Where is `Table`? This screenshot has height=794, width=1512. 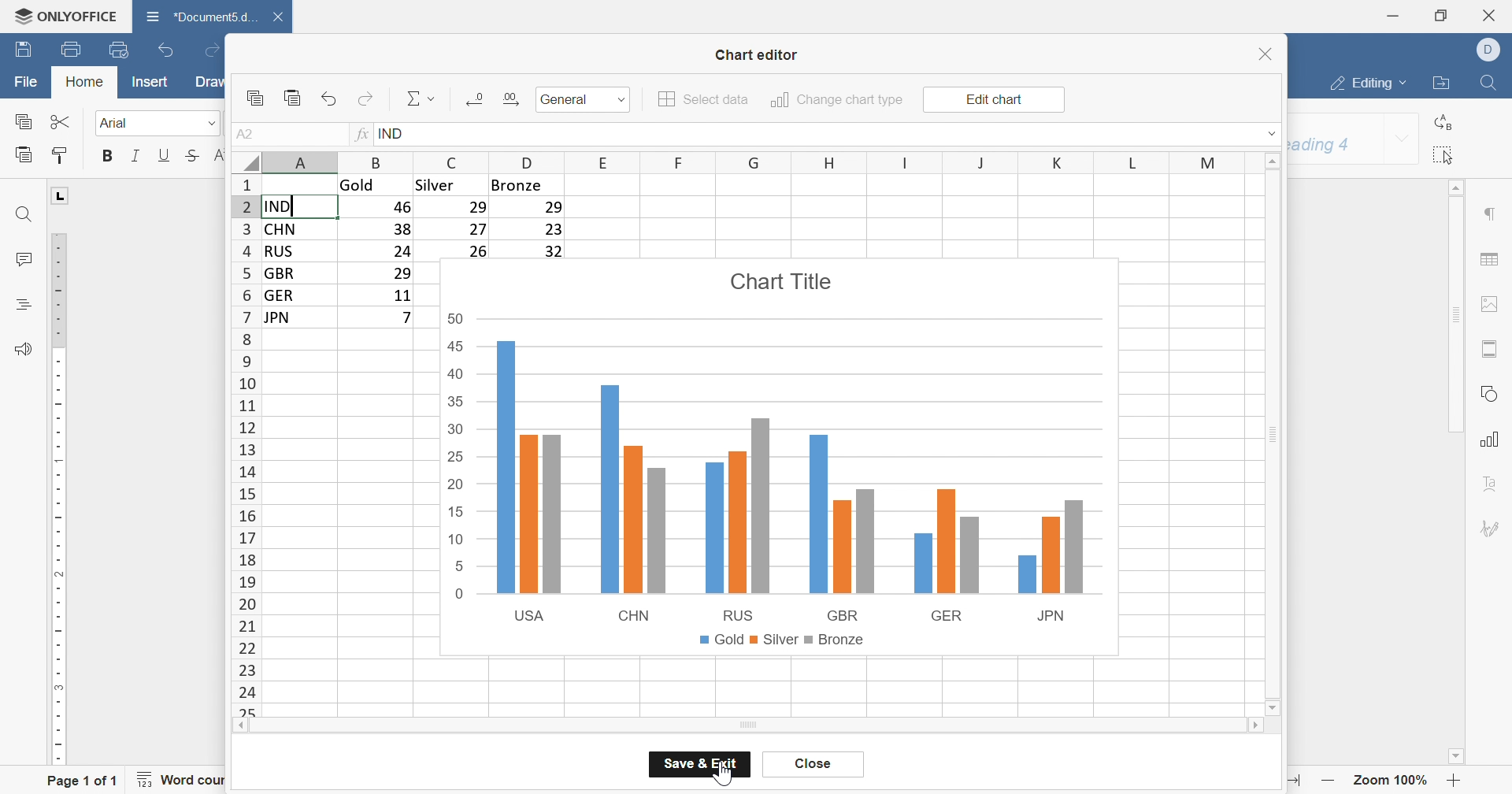
Table is located at coordinates (499, 215).